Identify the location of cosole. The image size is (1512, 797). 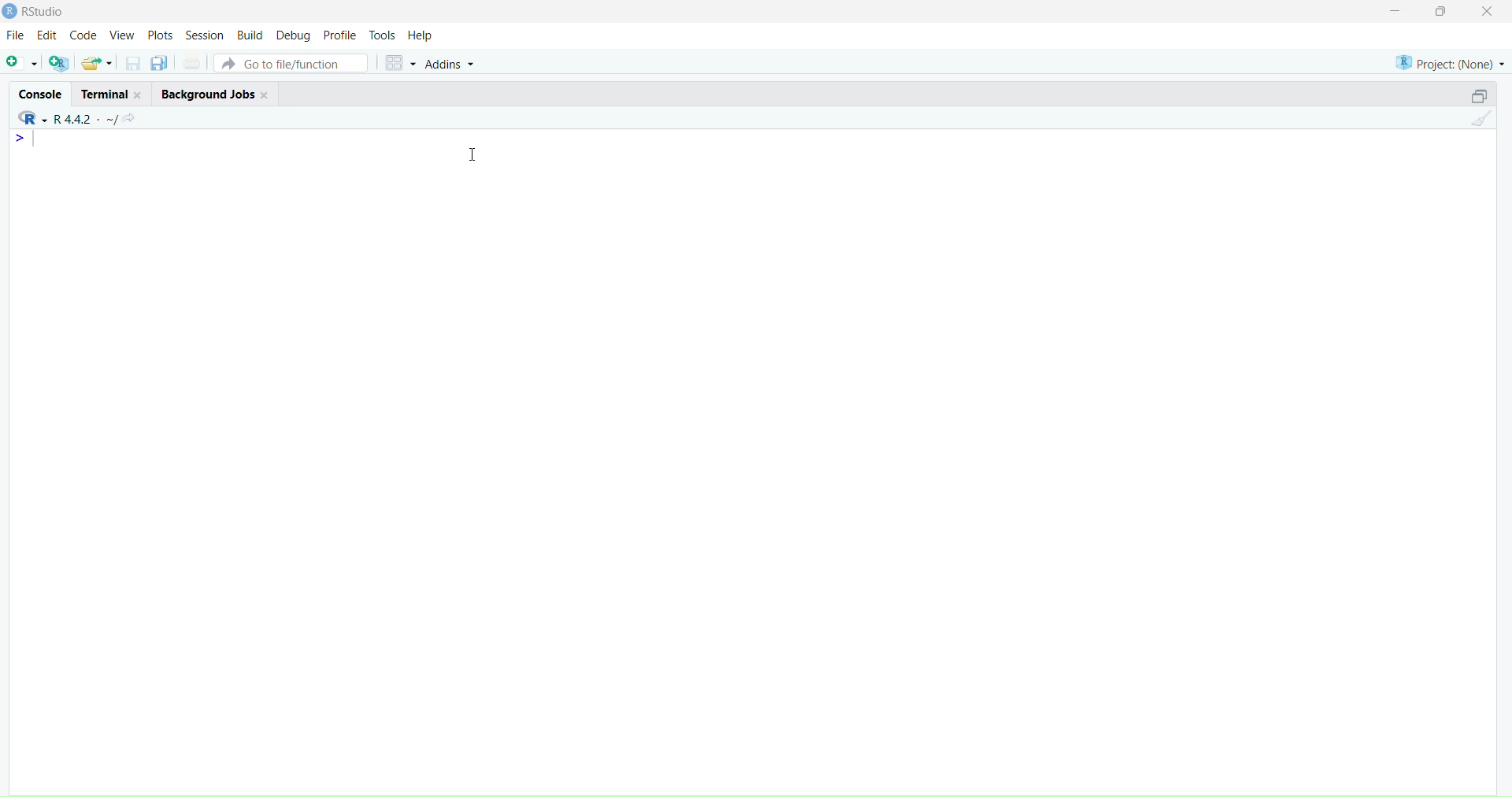
(41, 95).